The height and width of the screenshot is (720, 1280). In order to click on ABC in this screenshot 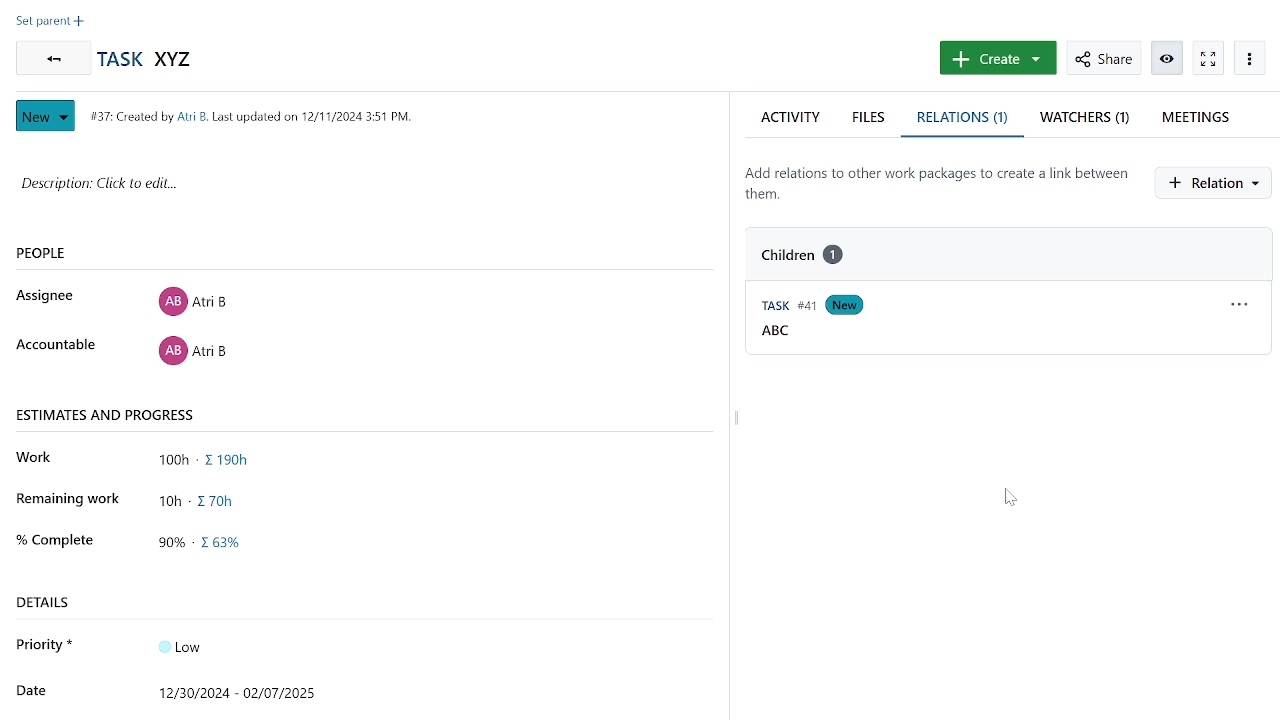, I will do `click(776, 332)`.